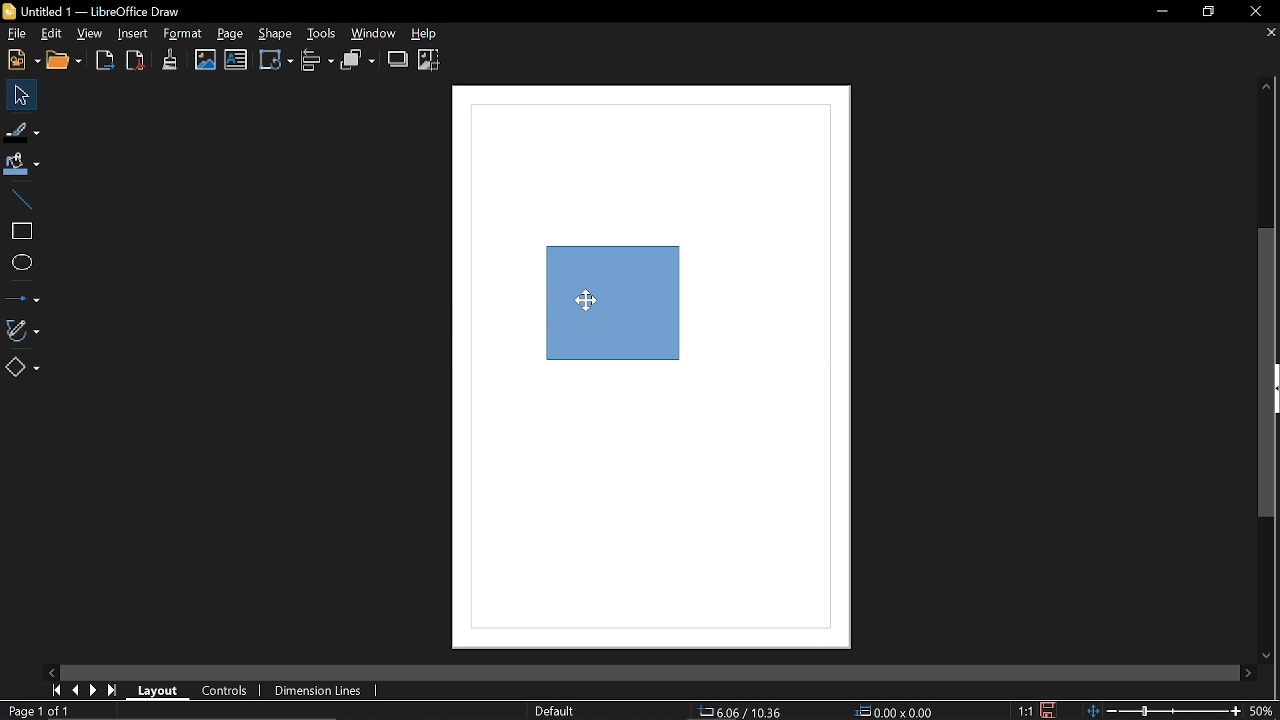 The width and height of the screenshot is (1280, 720). Describe the element at coordinates (75, 691) in the screenshot. I see `Previous page` at that location.